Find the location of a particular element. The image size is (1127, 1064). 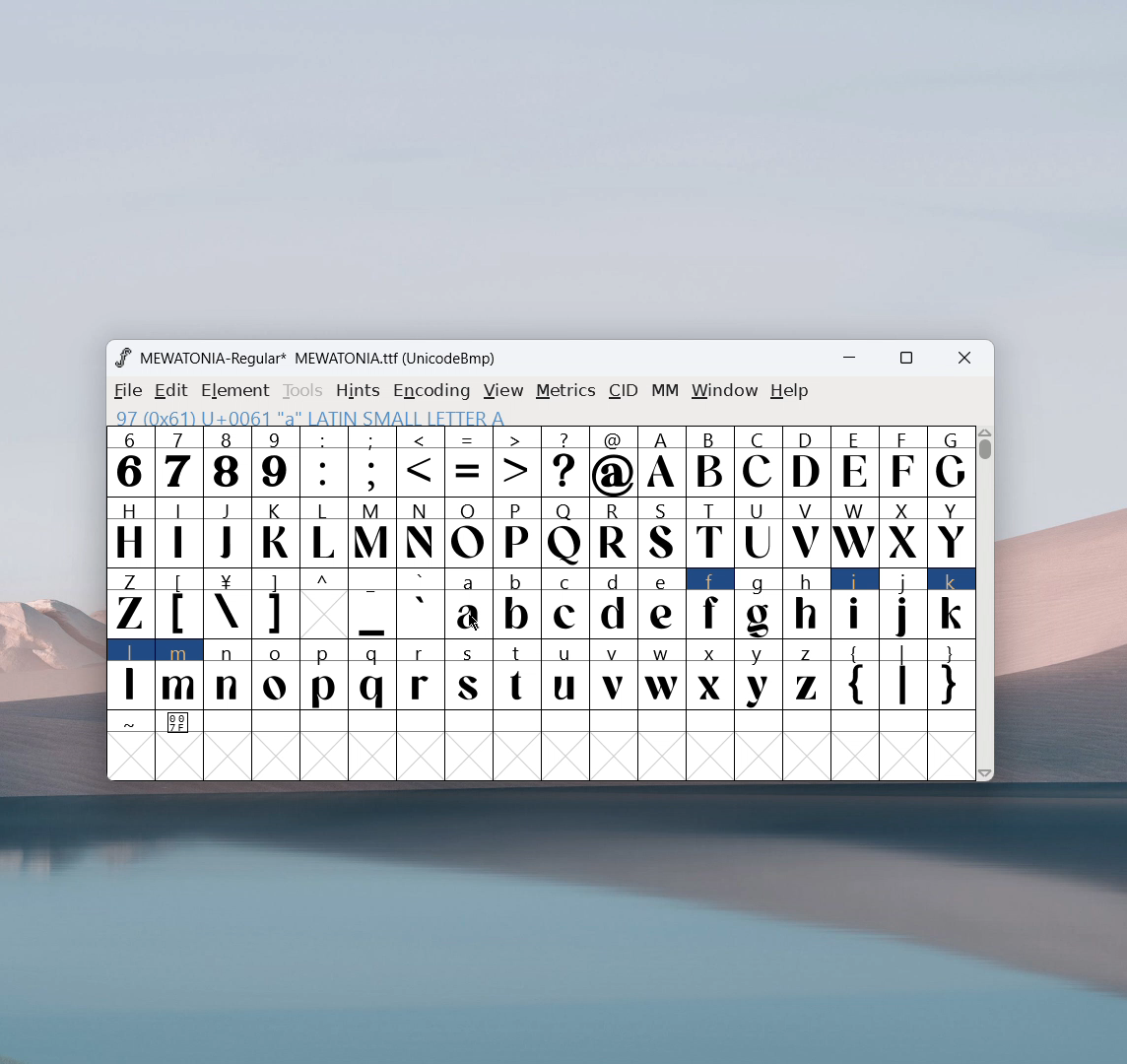

| is located at coordinates (903, 677).